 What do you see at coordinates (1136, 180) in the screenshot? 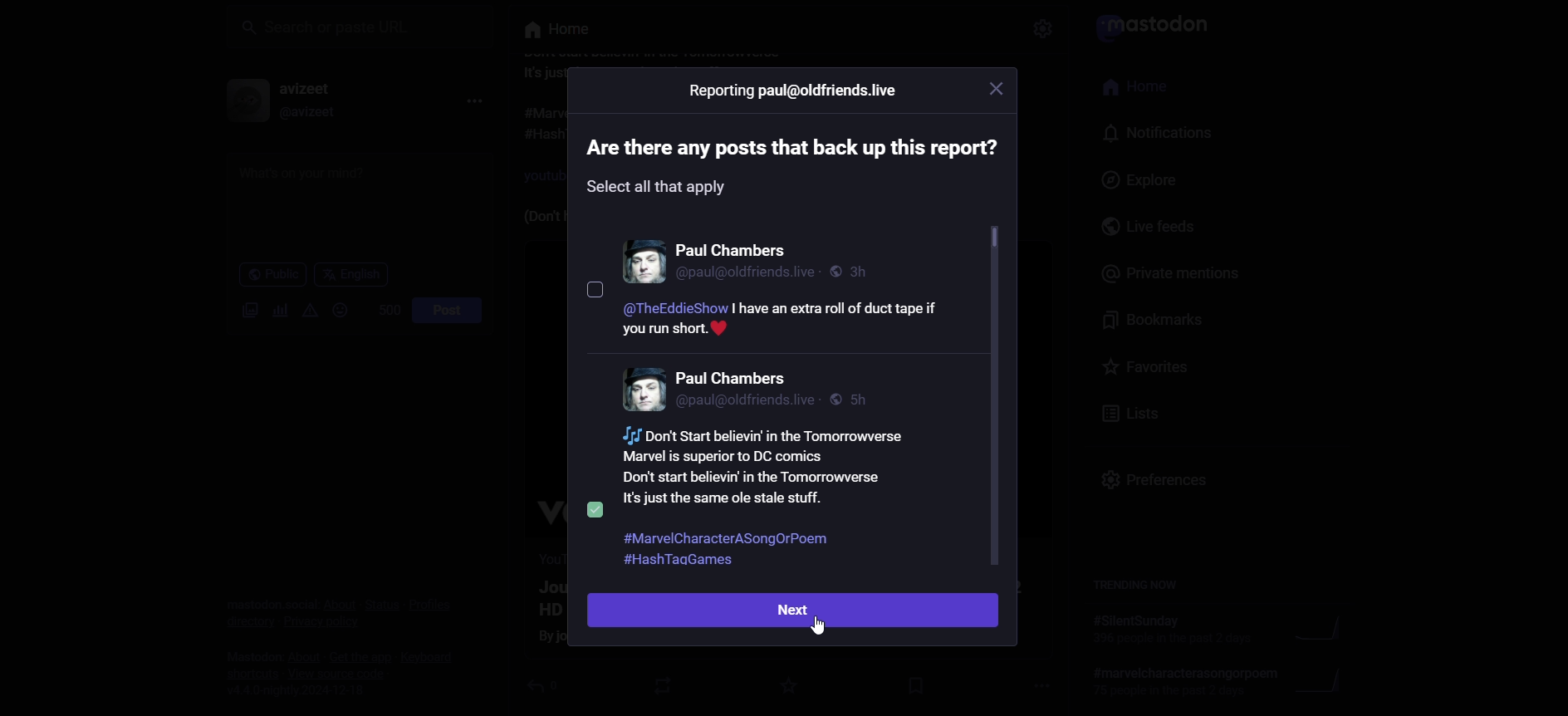
I see `explore` at bounding box center [1136, 180].